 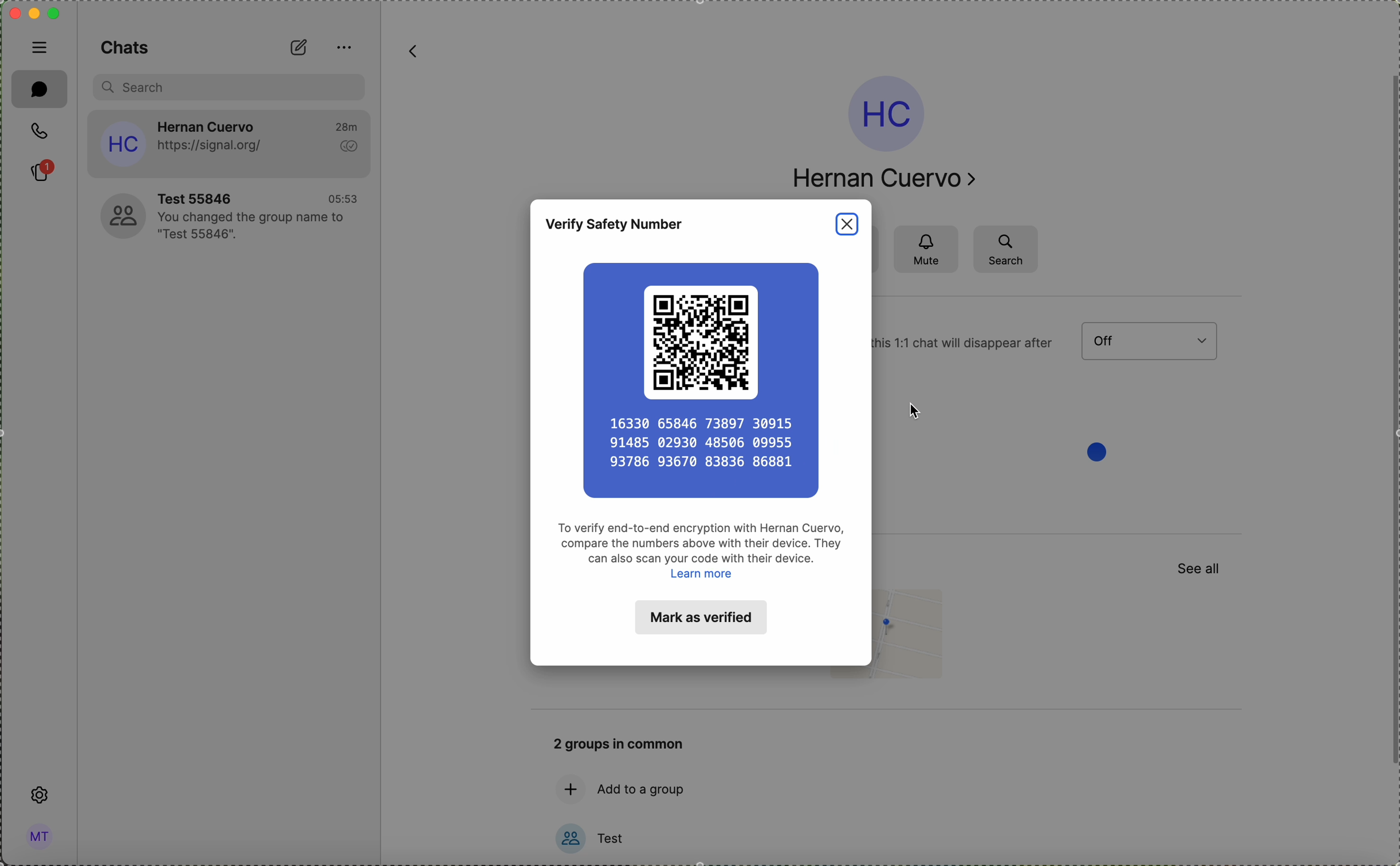 I want to click on https://signal.org/, so click(x=214, y=146).